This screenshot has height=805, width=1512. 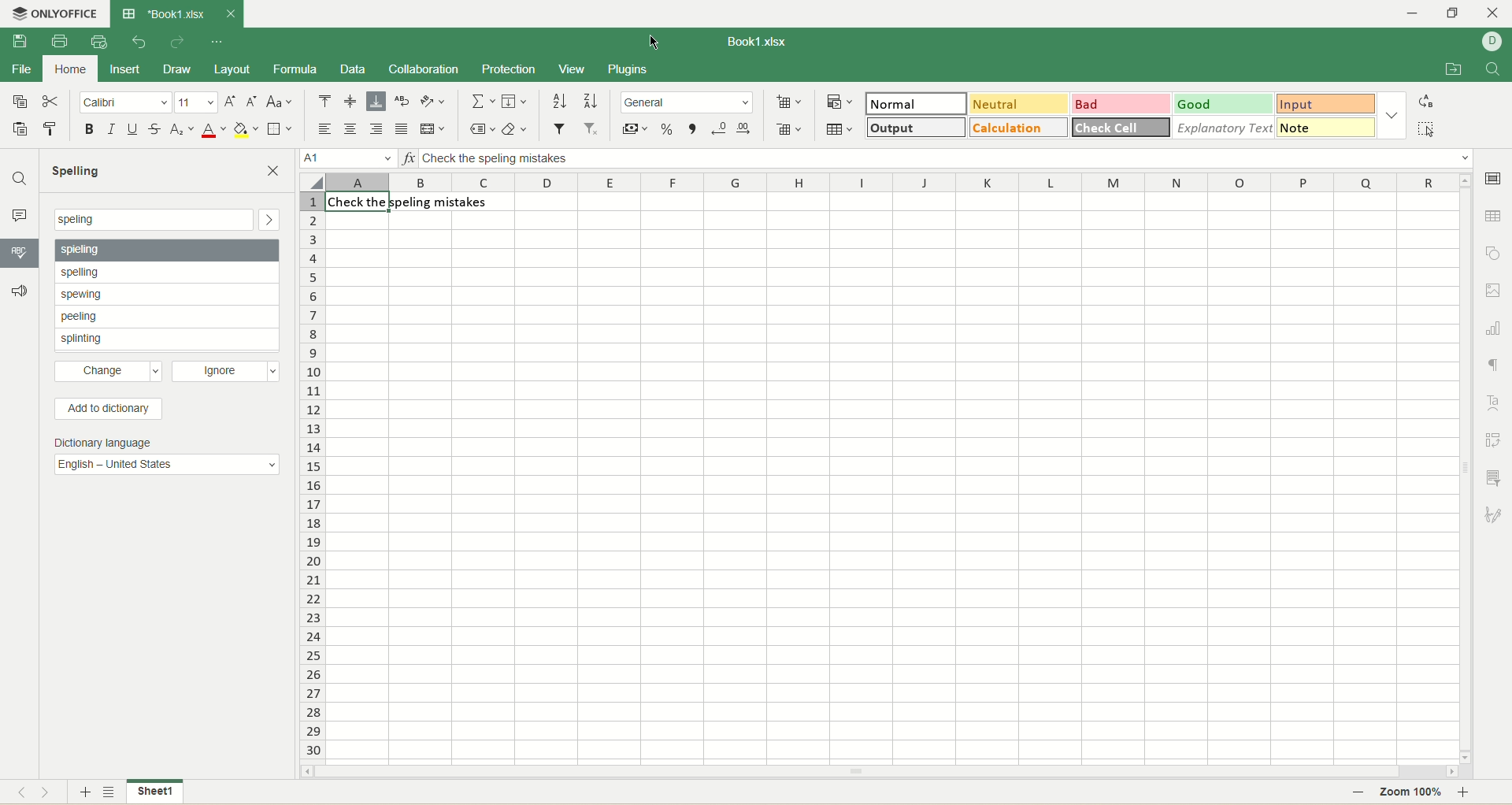 I want to click on comma style, so click(x=693, y=129).